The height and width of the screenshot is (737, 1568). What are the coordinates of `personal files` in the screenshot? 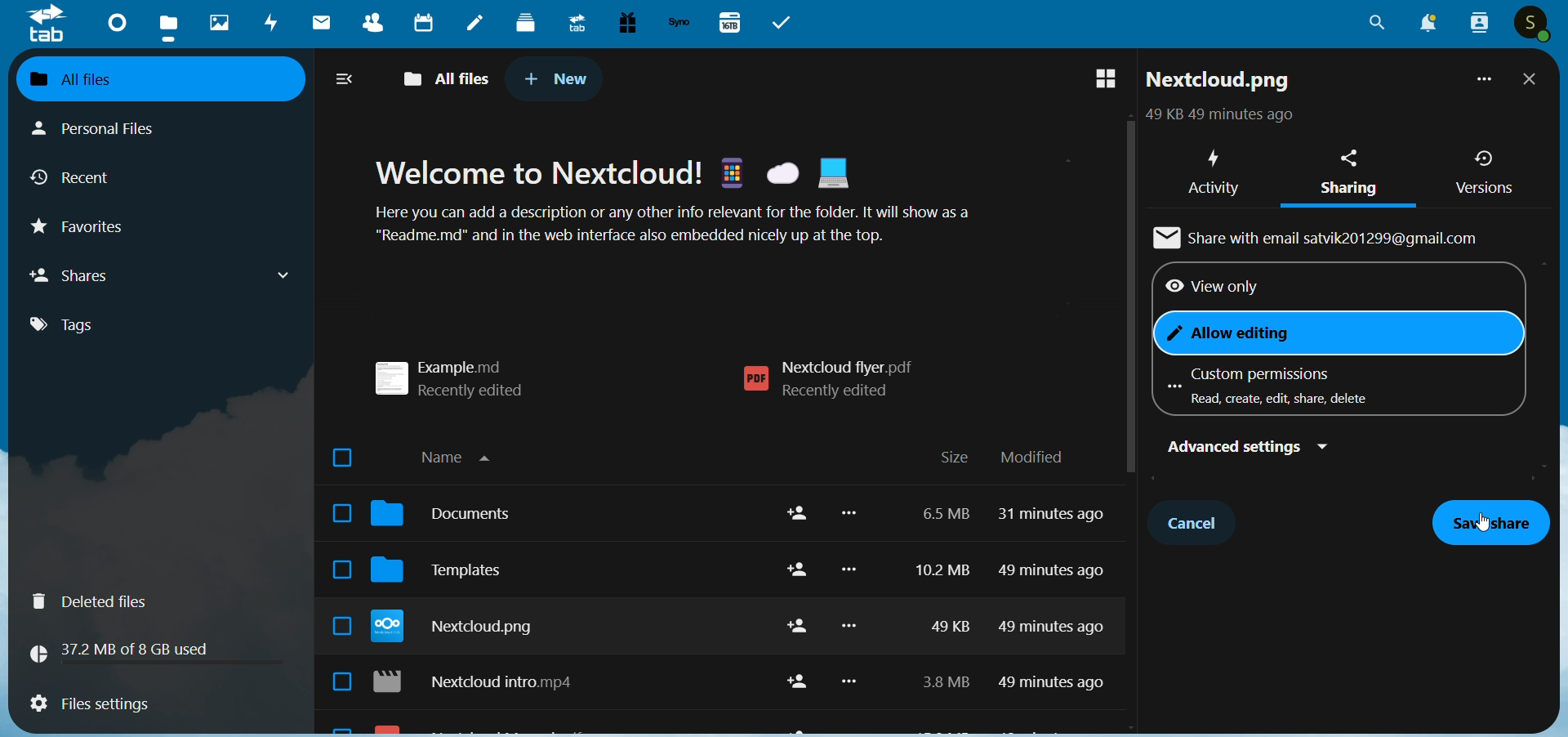 It's located at (111, 127).